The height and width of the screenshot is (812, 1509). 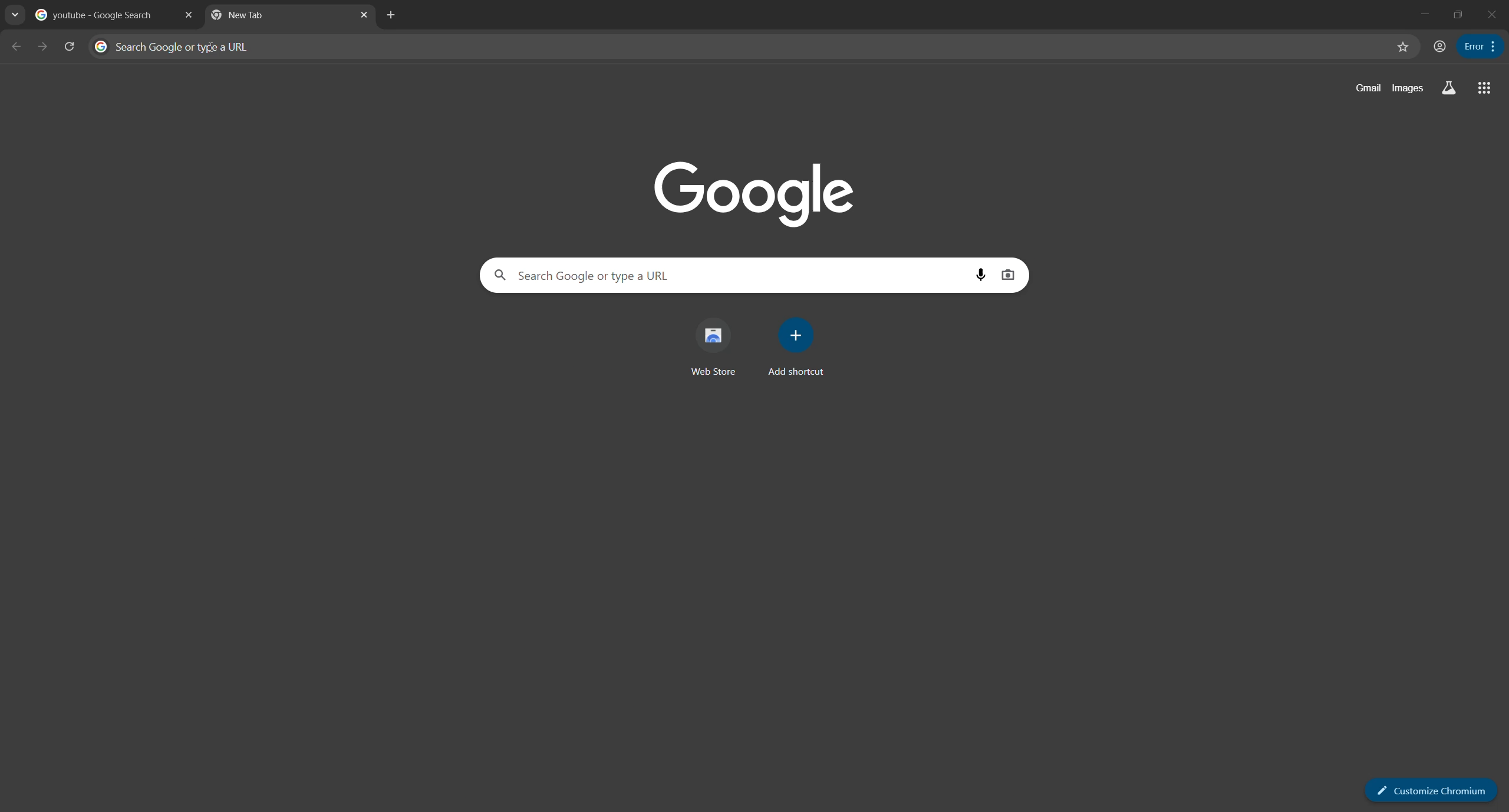 I want to click on reload, so click(x=71, y=46).